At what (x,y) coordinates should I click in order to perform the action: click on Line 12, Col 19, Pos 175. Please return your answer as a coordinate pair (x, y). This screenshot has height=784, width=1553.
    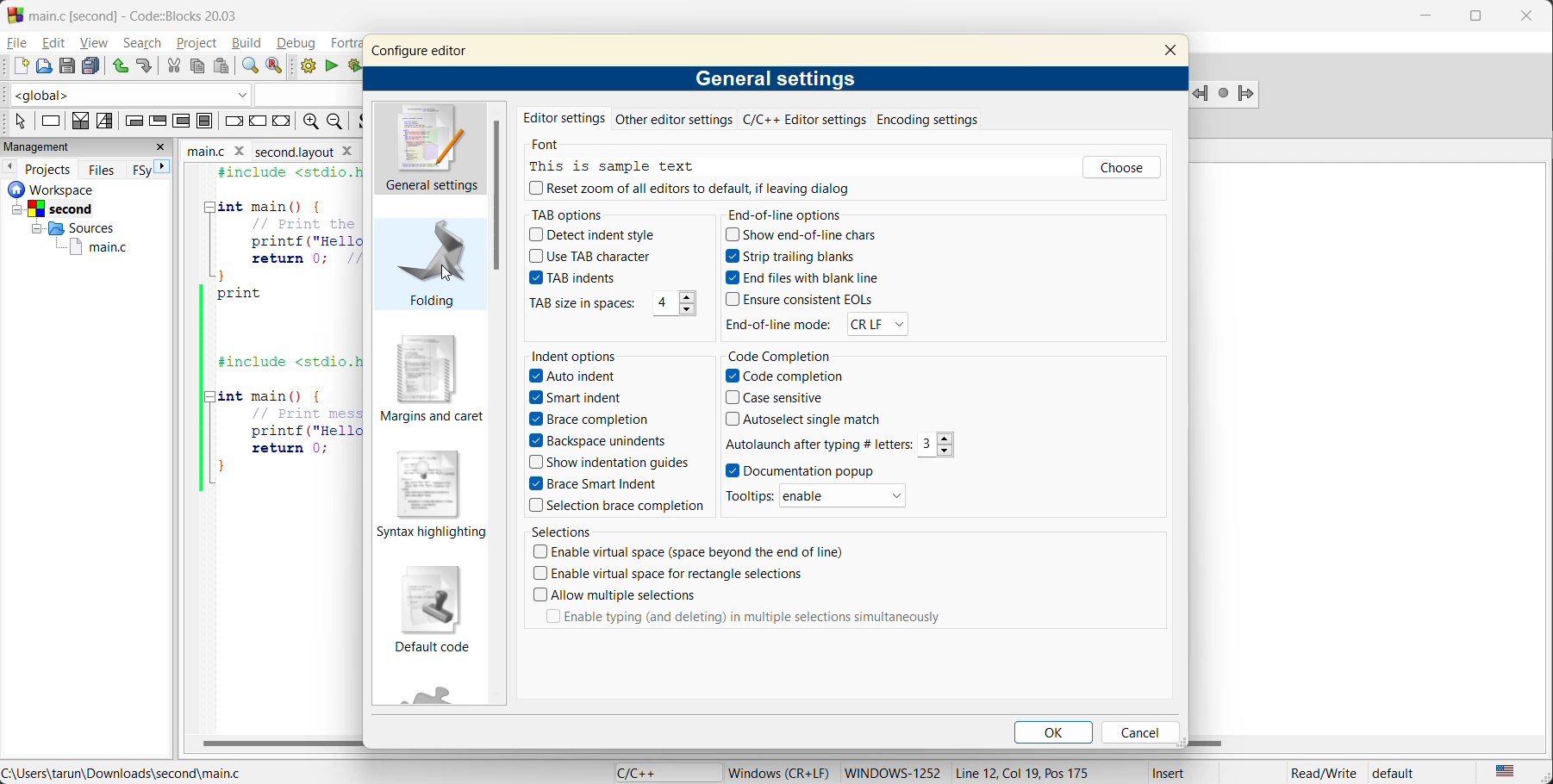
    Looking at the image, I should click on (1029, 769).